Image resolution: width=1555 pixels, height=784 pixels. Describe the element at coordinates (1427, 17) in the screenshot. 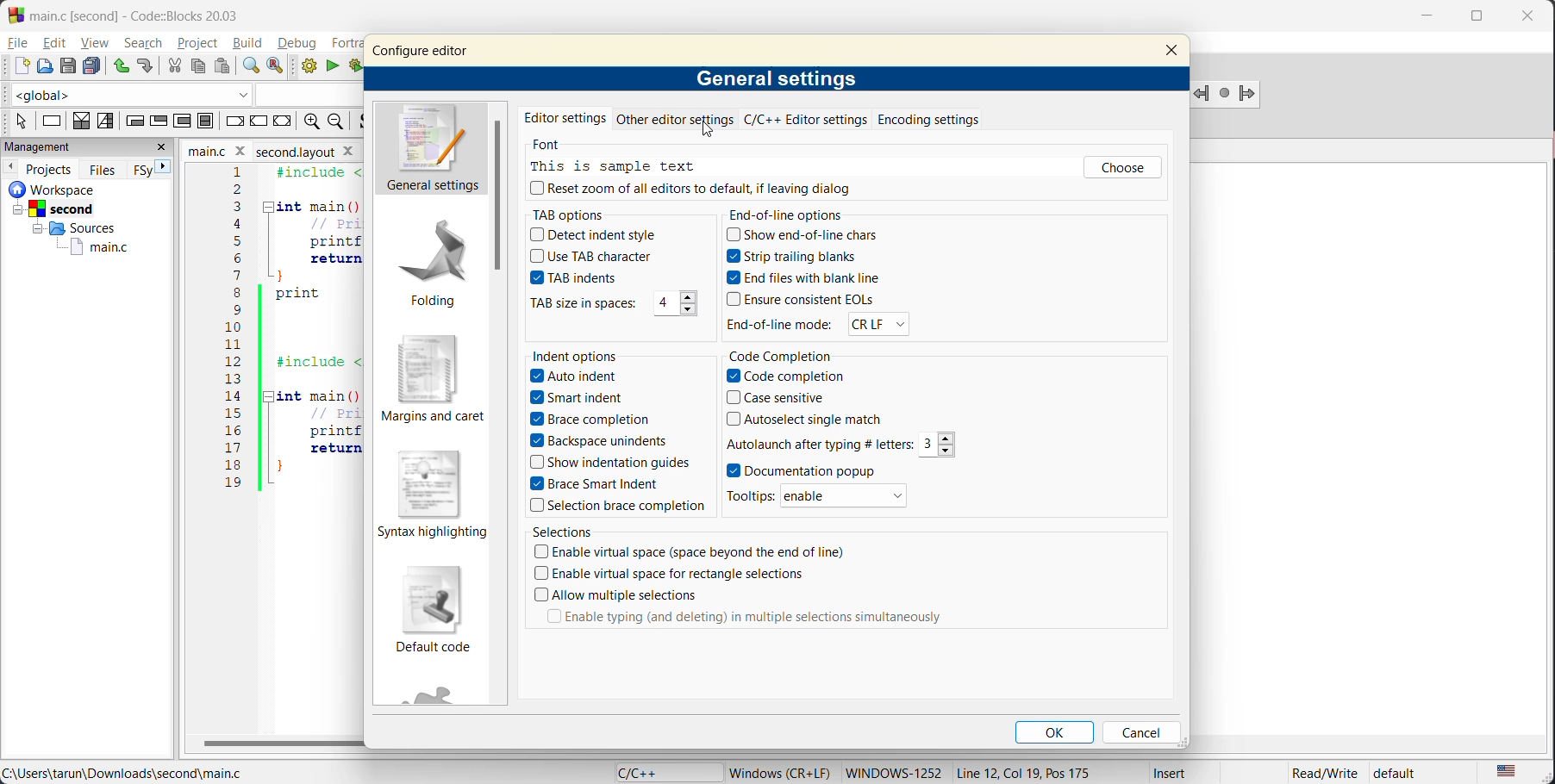

I see `minimize` at that location.